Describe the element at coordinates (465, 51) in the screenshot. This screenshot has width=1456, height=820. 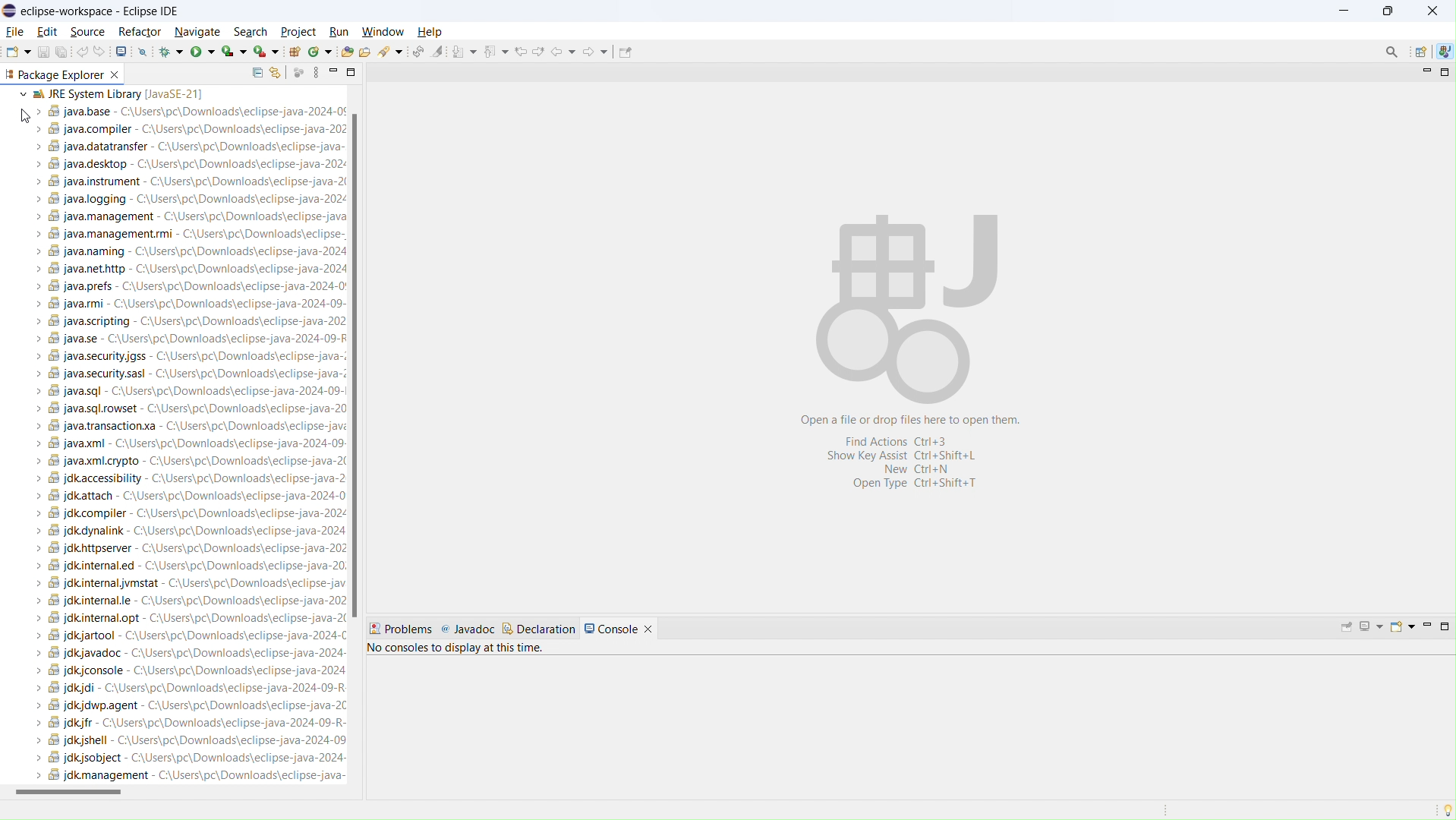
I see `next annotation` at that location.